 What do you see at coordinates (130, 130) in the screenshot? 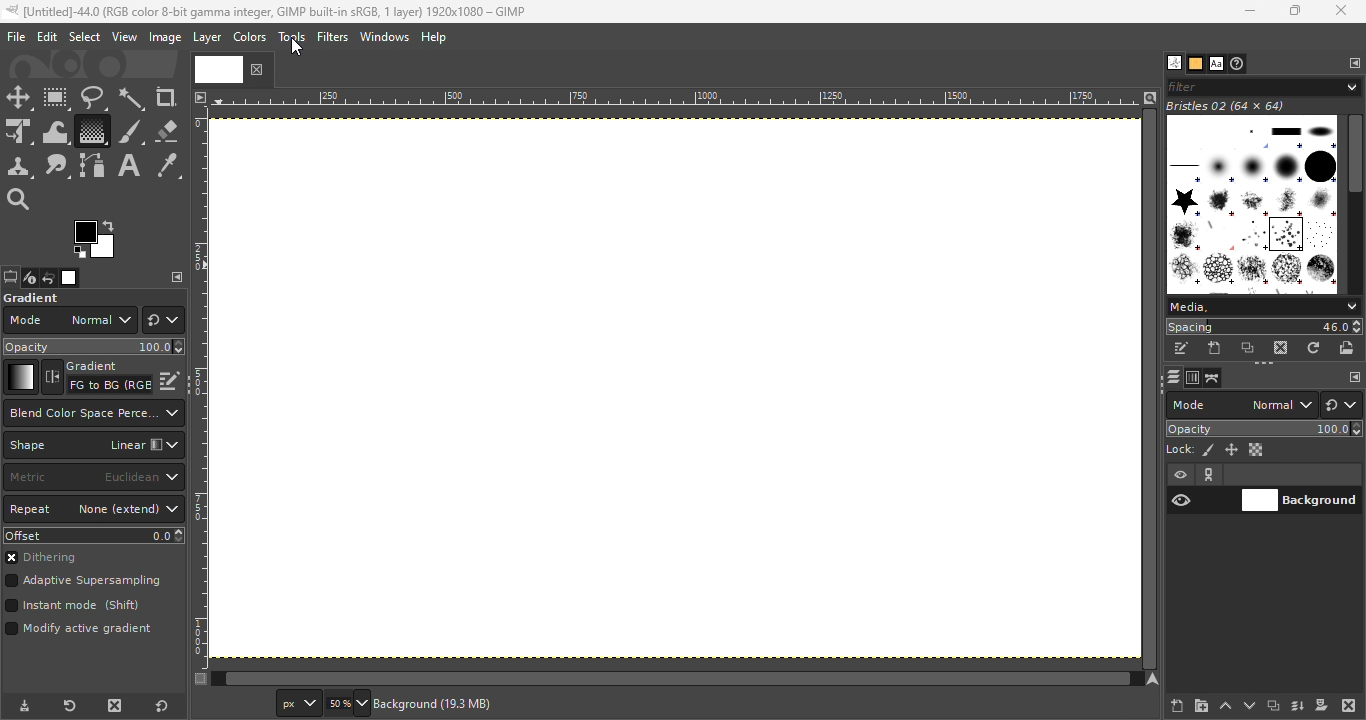
I see `Paint brush tool` at bounding box center [130, 130].